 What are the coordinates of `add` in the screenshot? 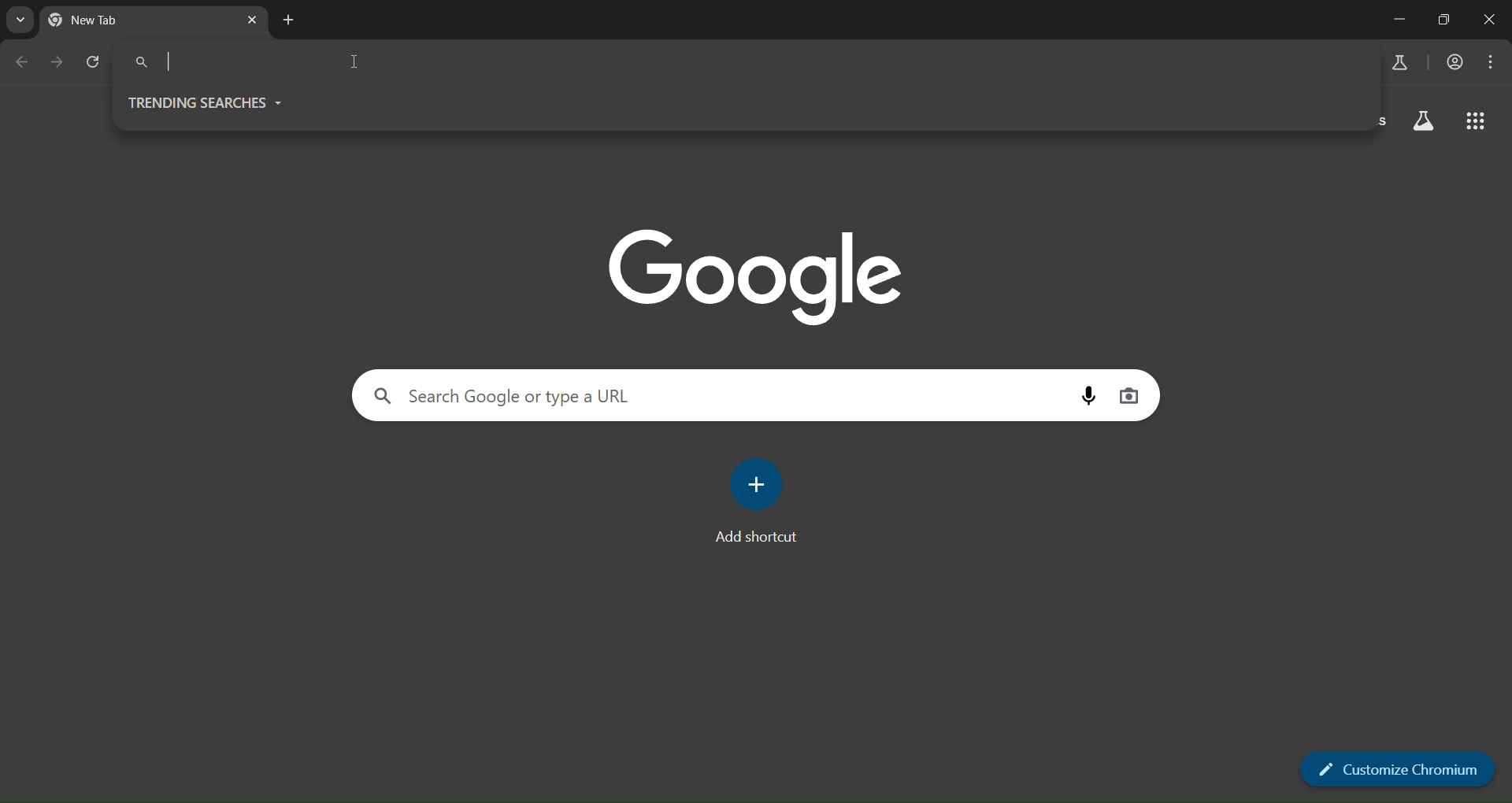 It's located at (756, 484).